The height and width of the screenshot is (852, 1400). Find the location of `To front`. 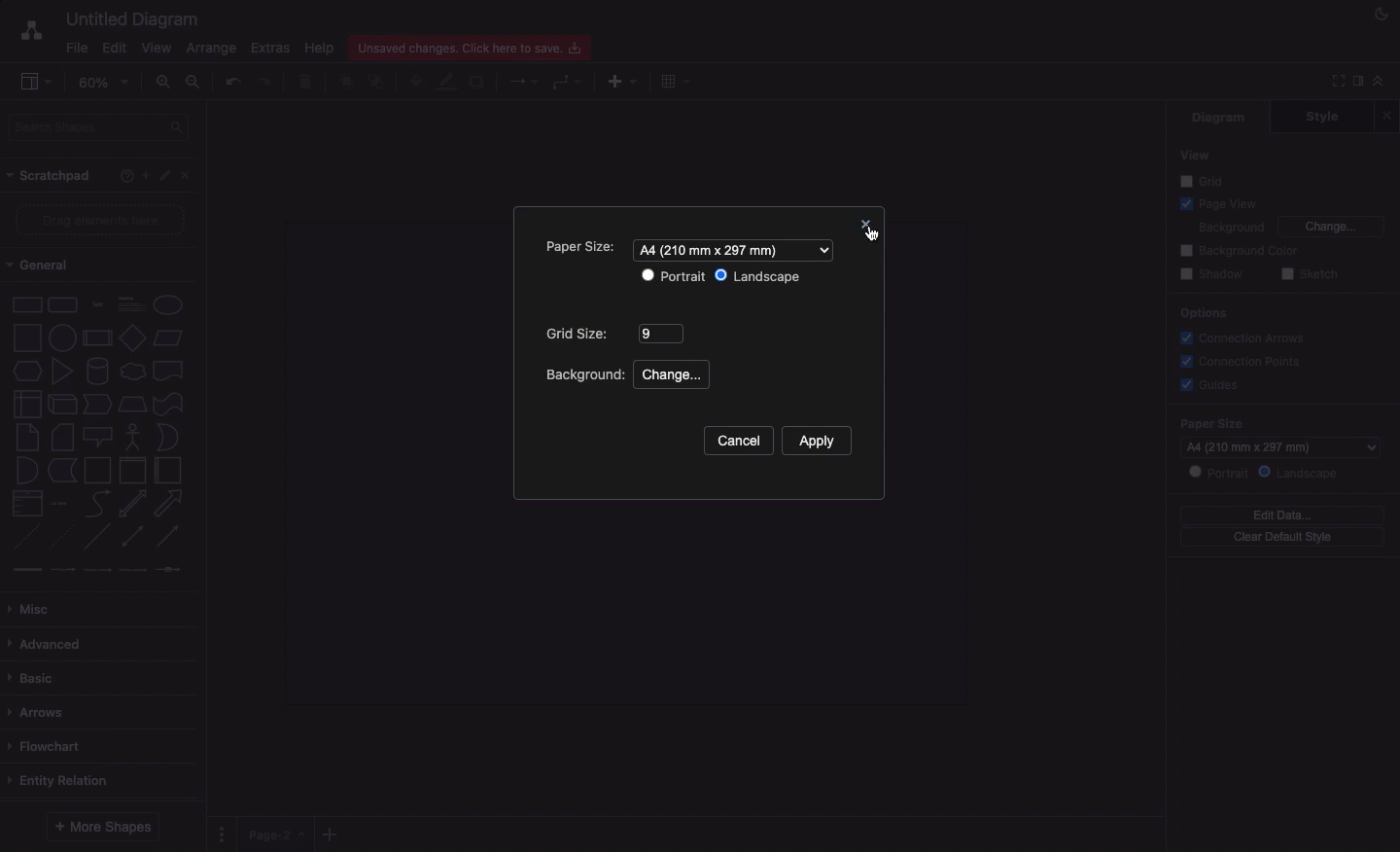

To front is located at coordinates (345, 83).